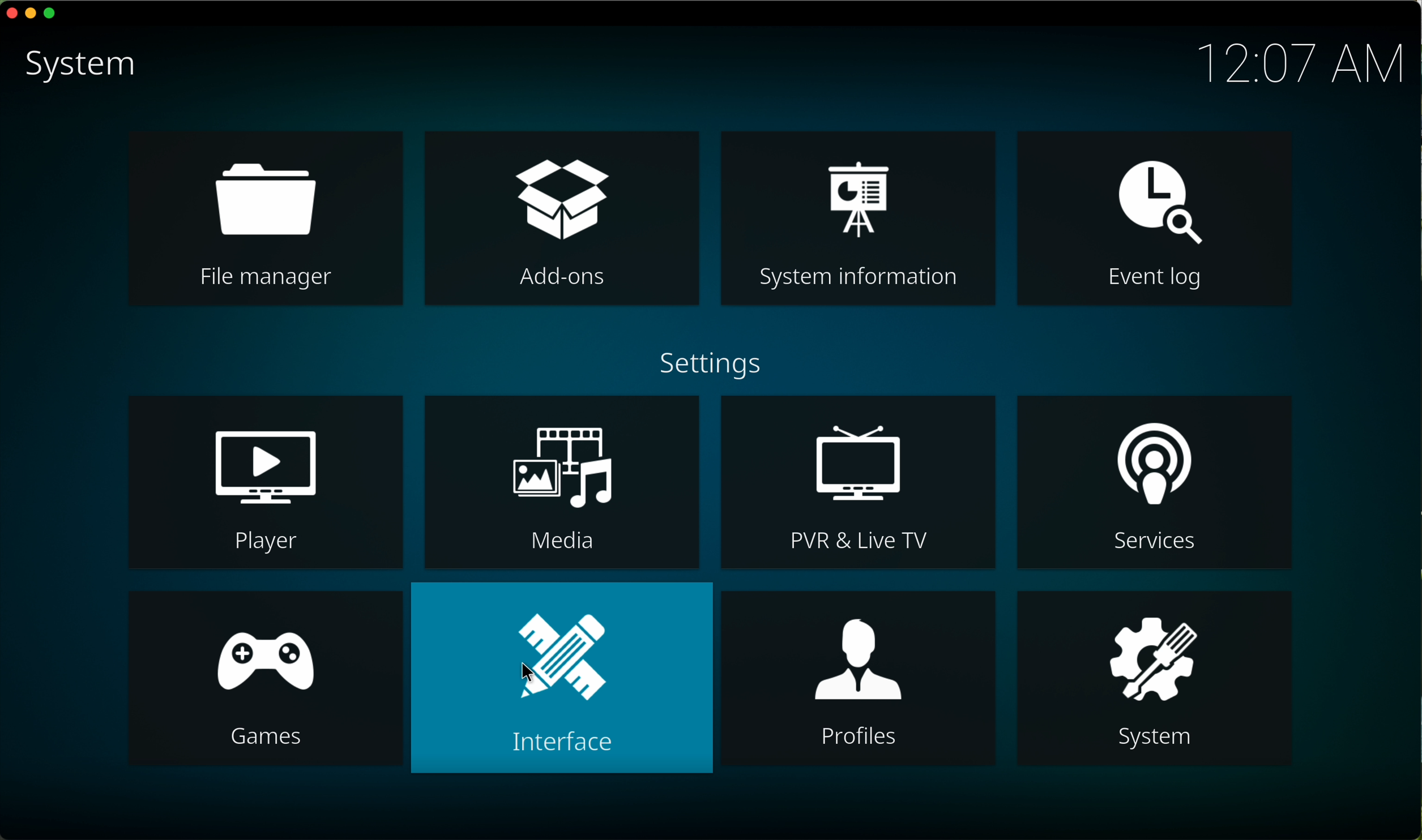  What do you see at coordinates (856, 218) in the screenshot?
I see `system information` at bounding box center [856, 218].